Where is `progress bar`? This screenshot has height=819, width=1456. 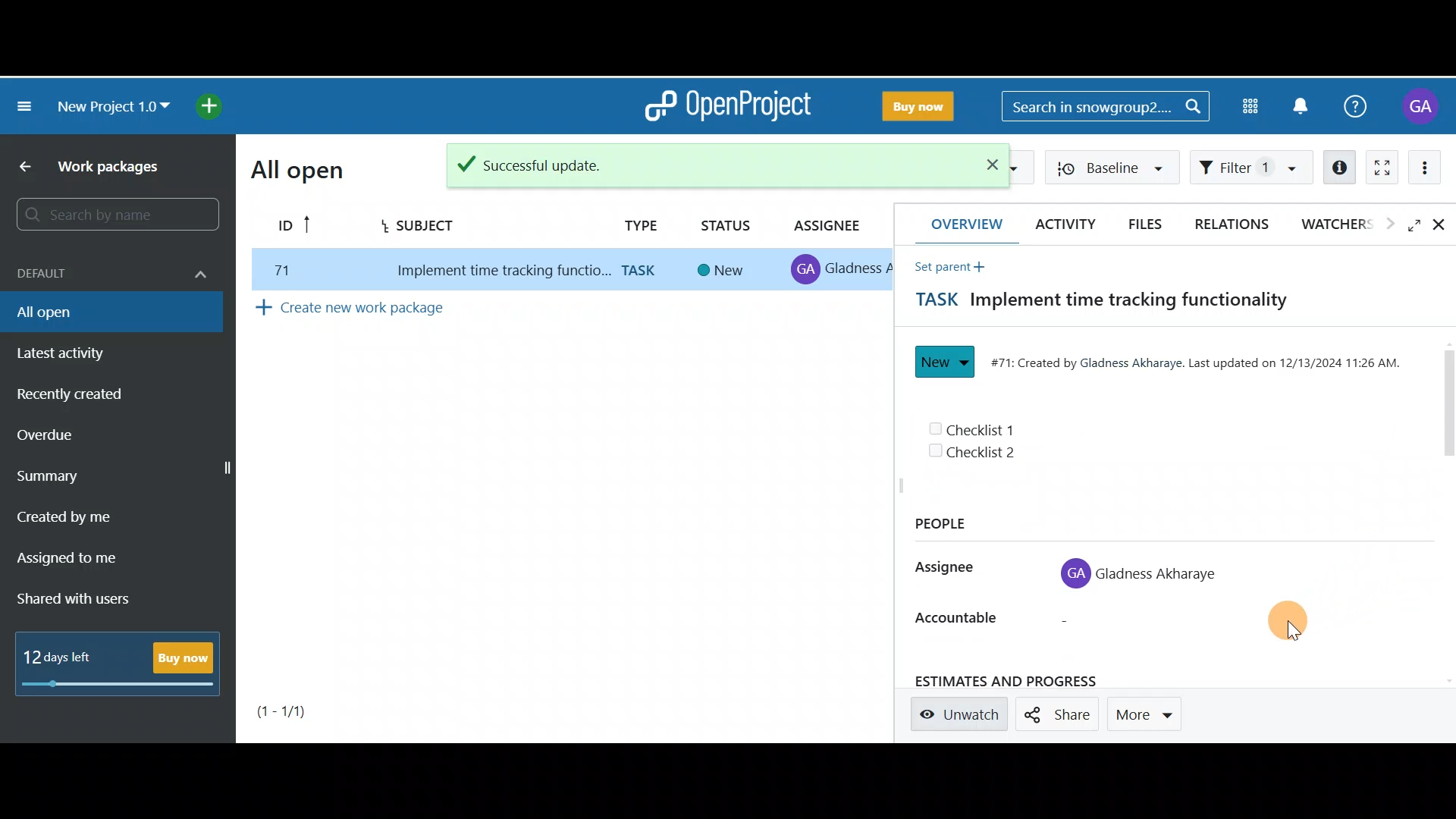 progress bar is located at coordinates (120, 686).